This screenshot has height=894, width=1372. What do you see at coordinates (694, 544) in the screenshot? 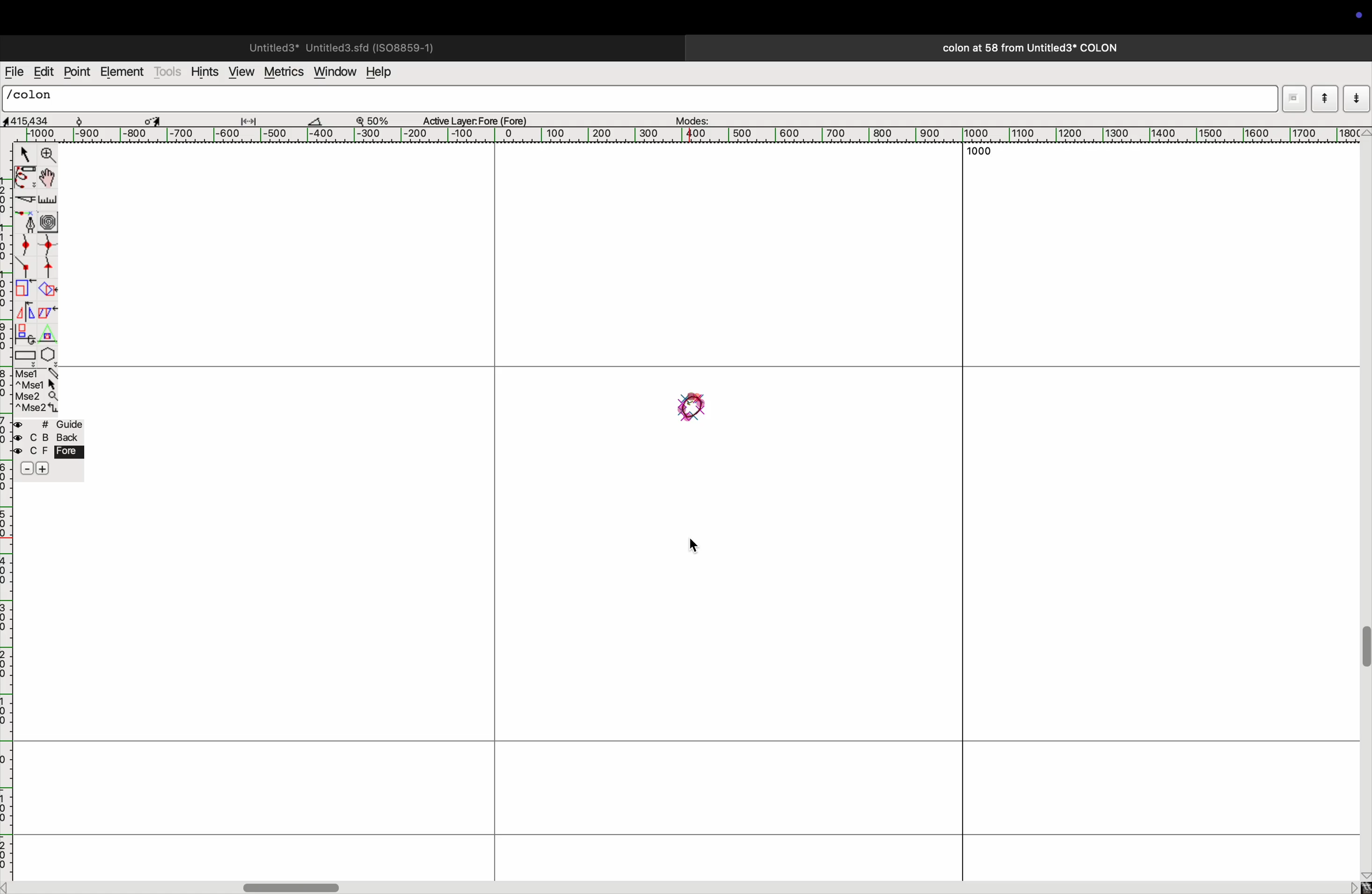
I see `cursor` at bounding box center [694, 544].